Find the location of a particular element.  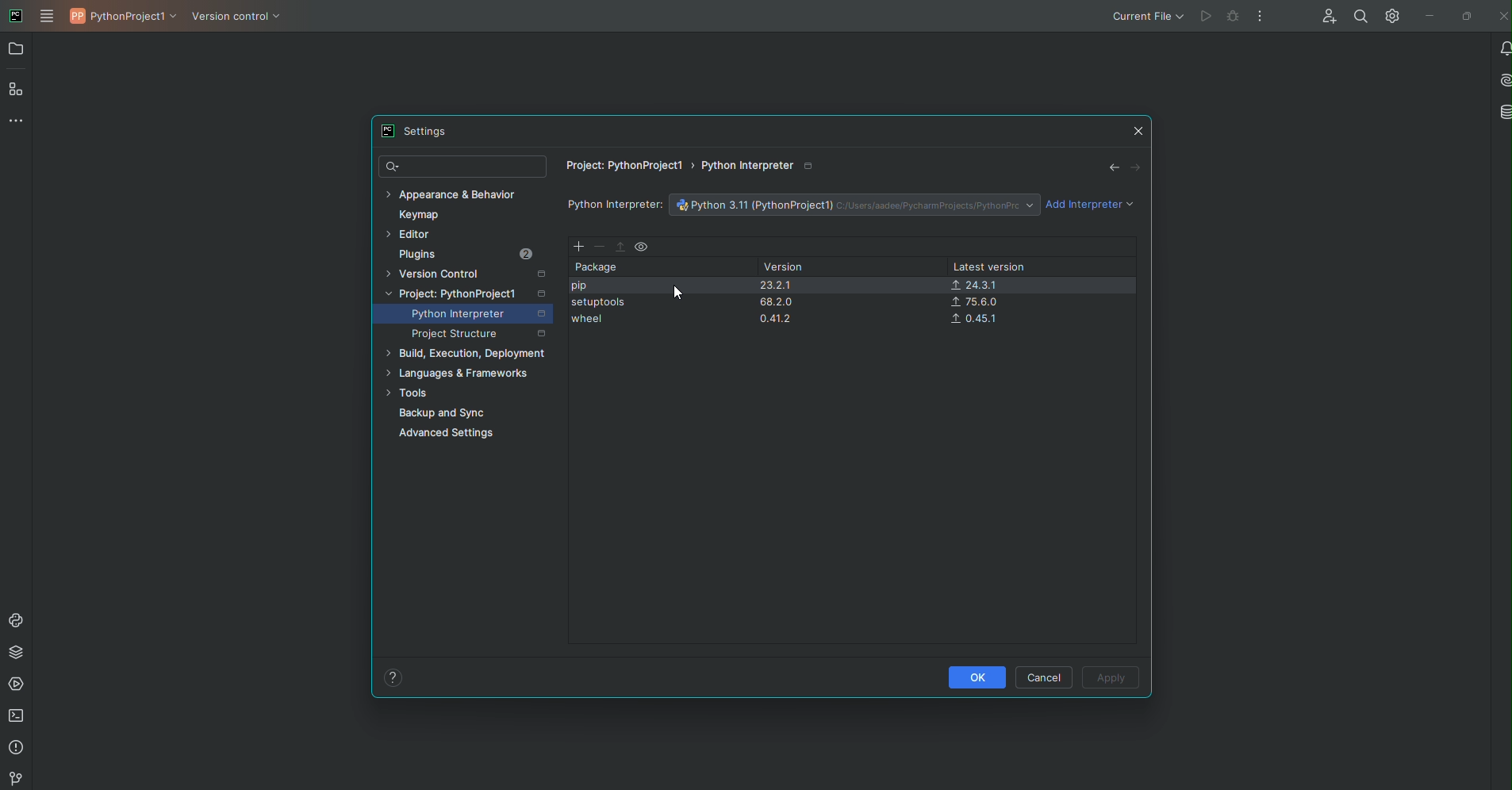

Latest version is located at coordinates (987, 266).